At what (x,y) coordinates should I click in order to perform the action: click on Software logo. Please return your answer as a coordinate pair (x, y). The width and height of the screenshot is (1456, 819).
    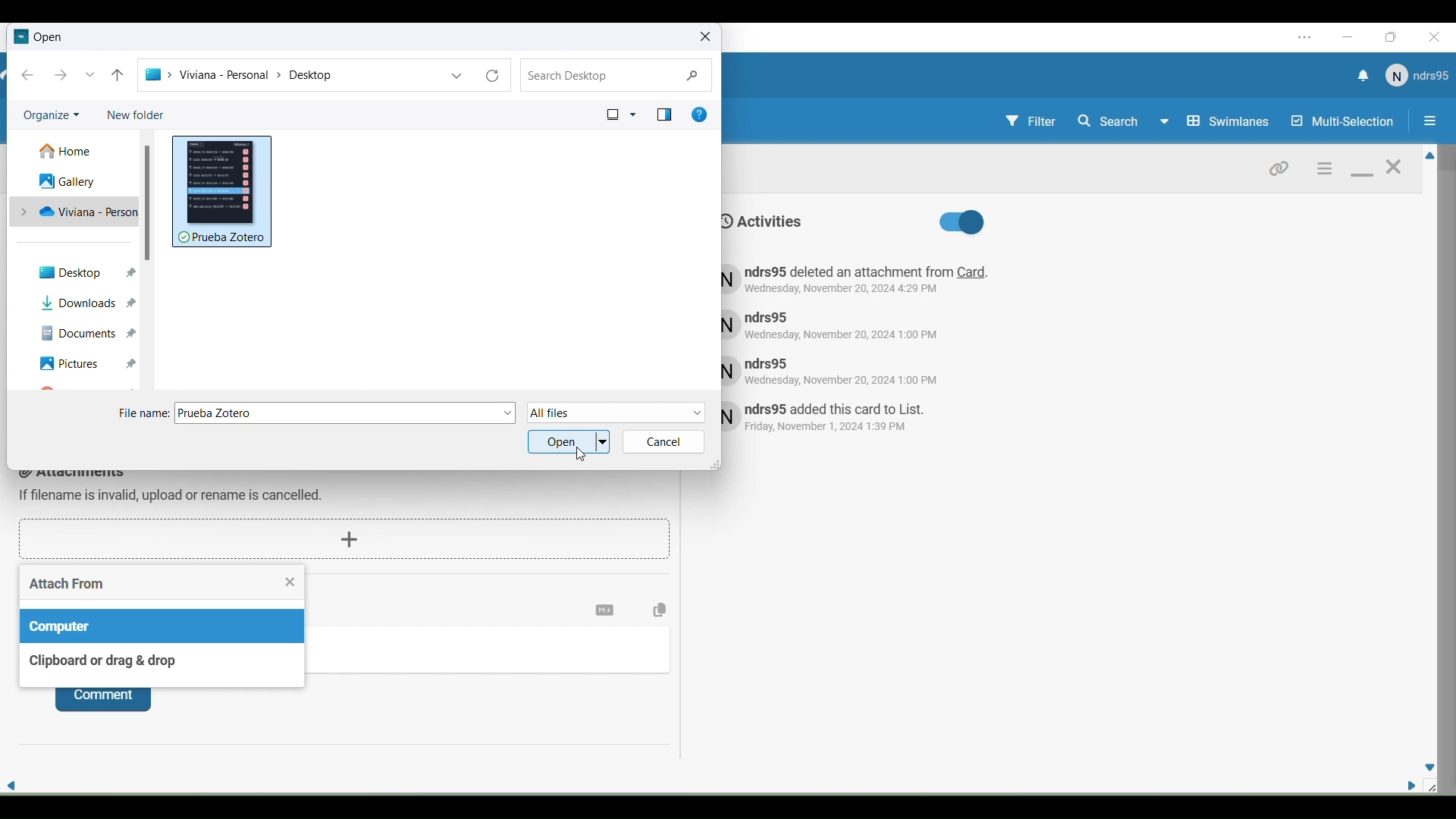
    Looking at the image, I should click on (20, 36).